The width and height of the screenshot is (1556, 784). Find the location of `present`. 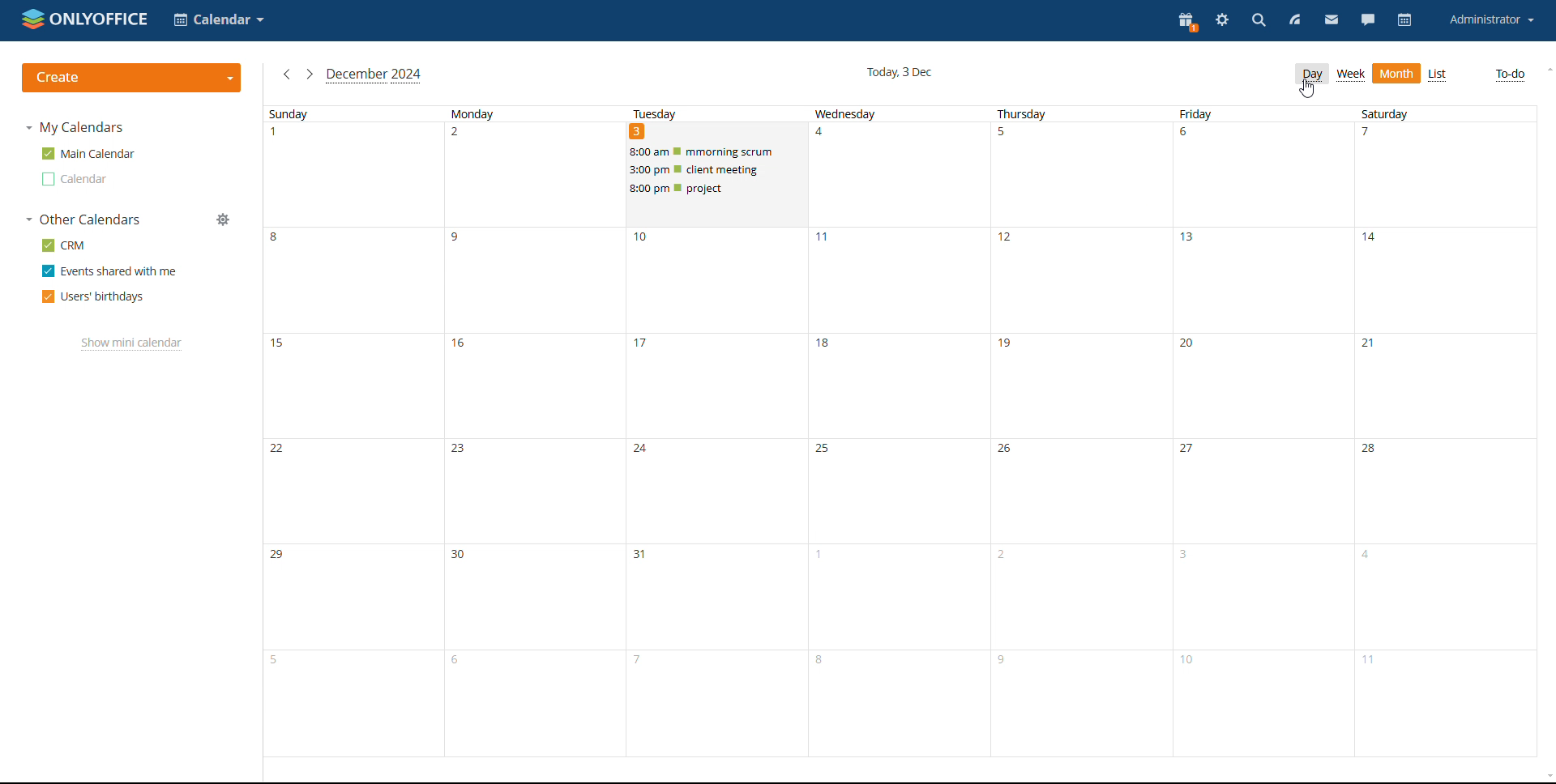

present is located at coordinates (1186, 22).